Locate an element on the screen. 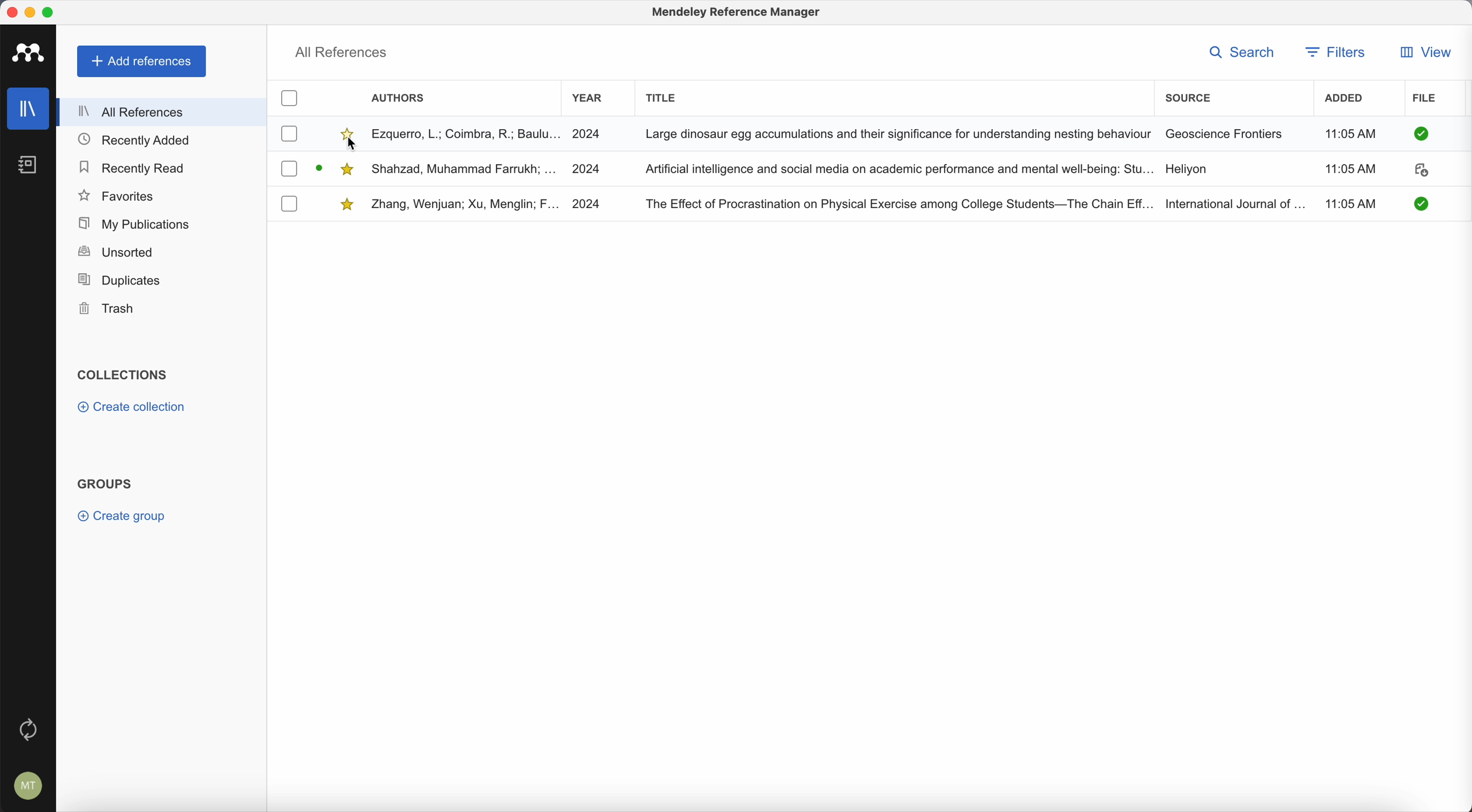 The image size is (1472, 812). International Journal of... is located at coordinates (1235, 202).